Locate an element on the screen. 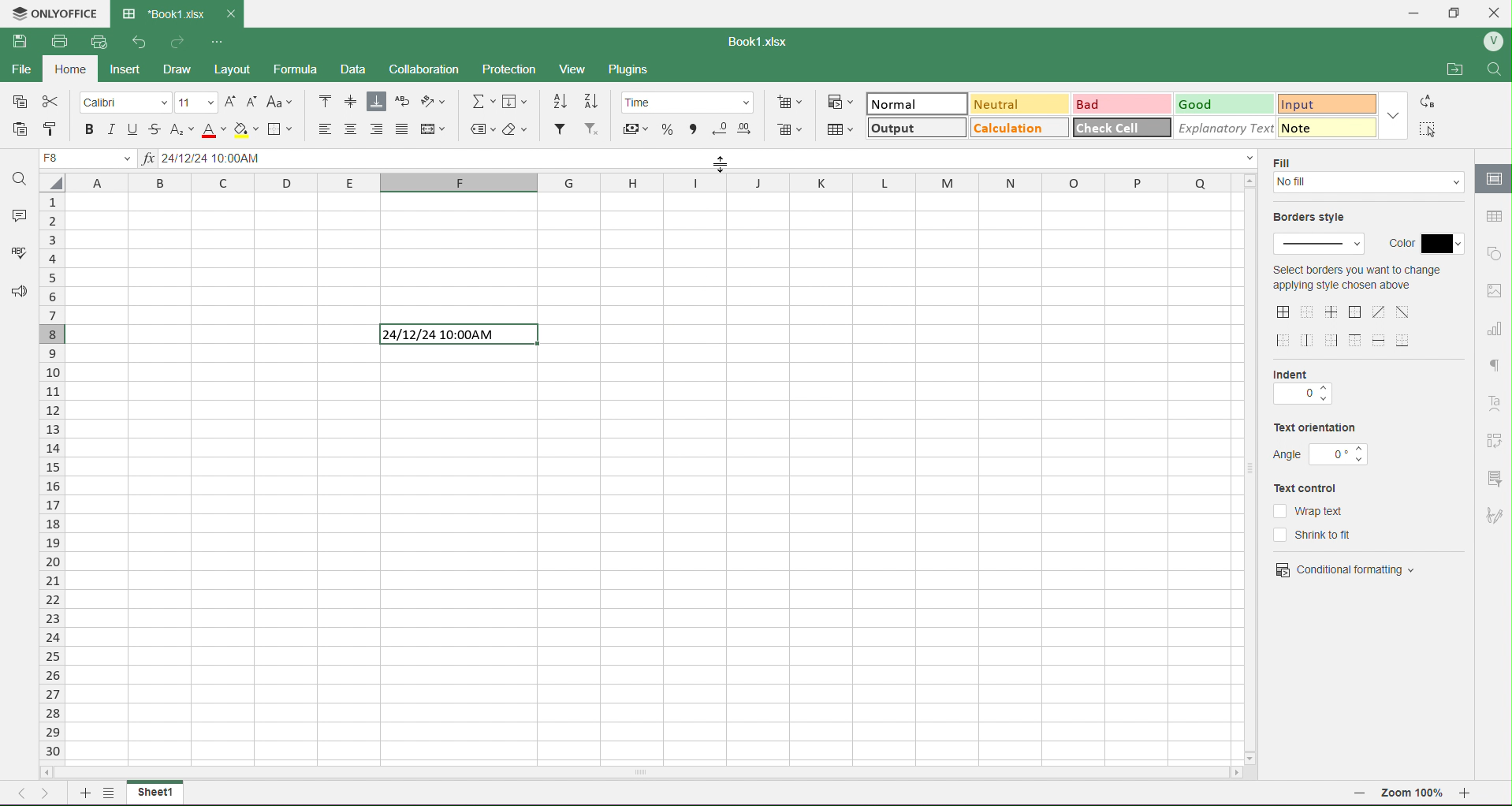  photos is located at coordinates (1495, 291).